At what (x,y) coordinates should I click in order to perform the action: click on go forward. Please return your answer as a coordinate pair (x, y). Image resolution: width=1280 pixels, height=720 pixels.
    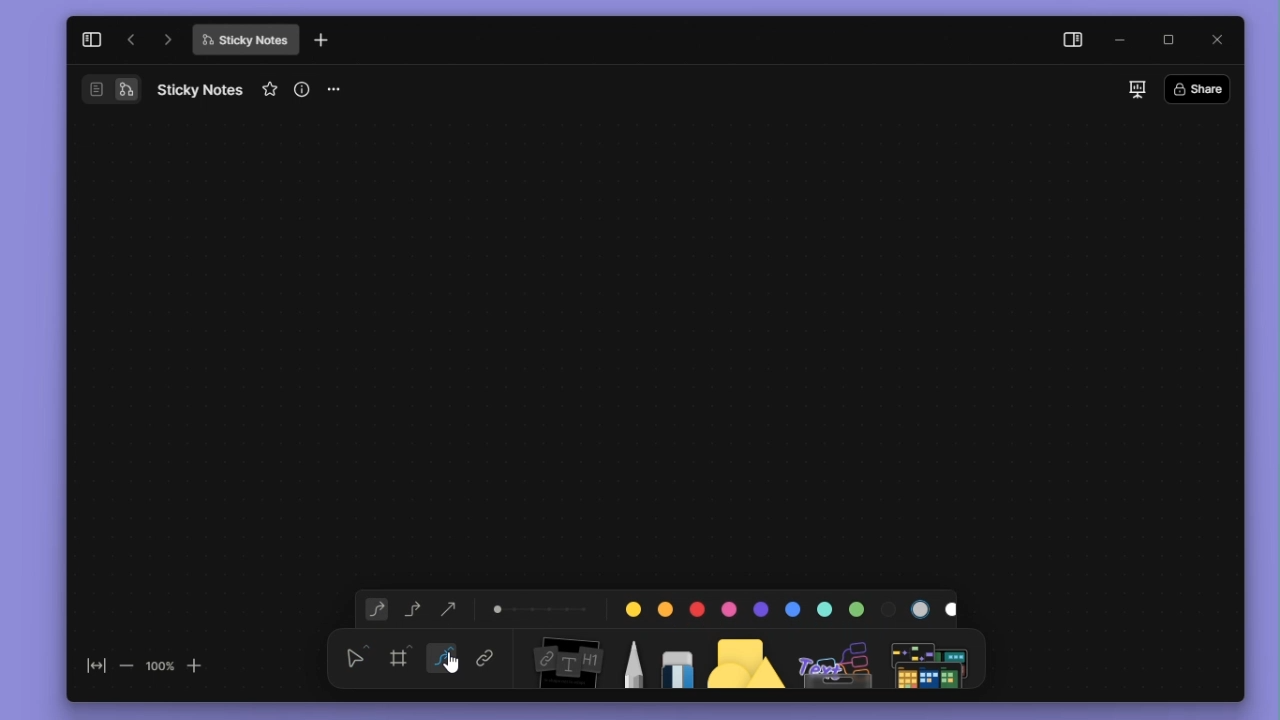
    Looking at the image, I should click on (168, 39).